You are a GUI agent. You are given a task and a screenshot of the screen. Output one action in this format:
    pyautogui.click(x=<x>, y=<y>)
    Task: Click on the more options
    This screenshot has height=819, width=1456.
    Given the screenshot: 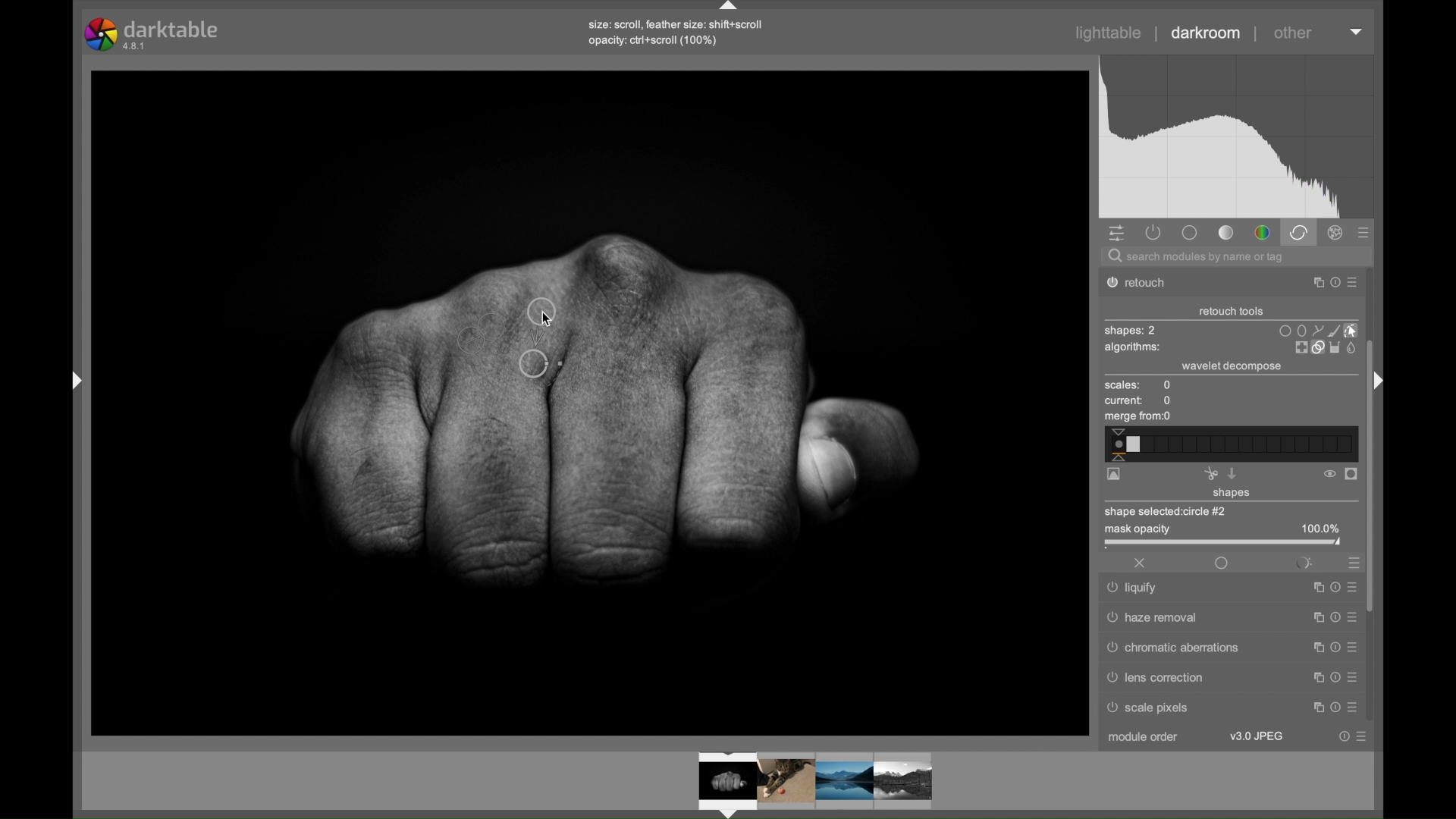 What is the action you would take?
    pyautogui.click(x=1352, y=646)
    